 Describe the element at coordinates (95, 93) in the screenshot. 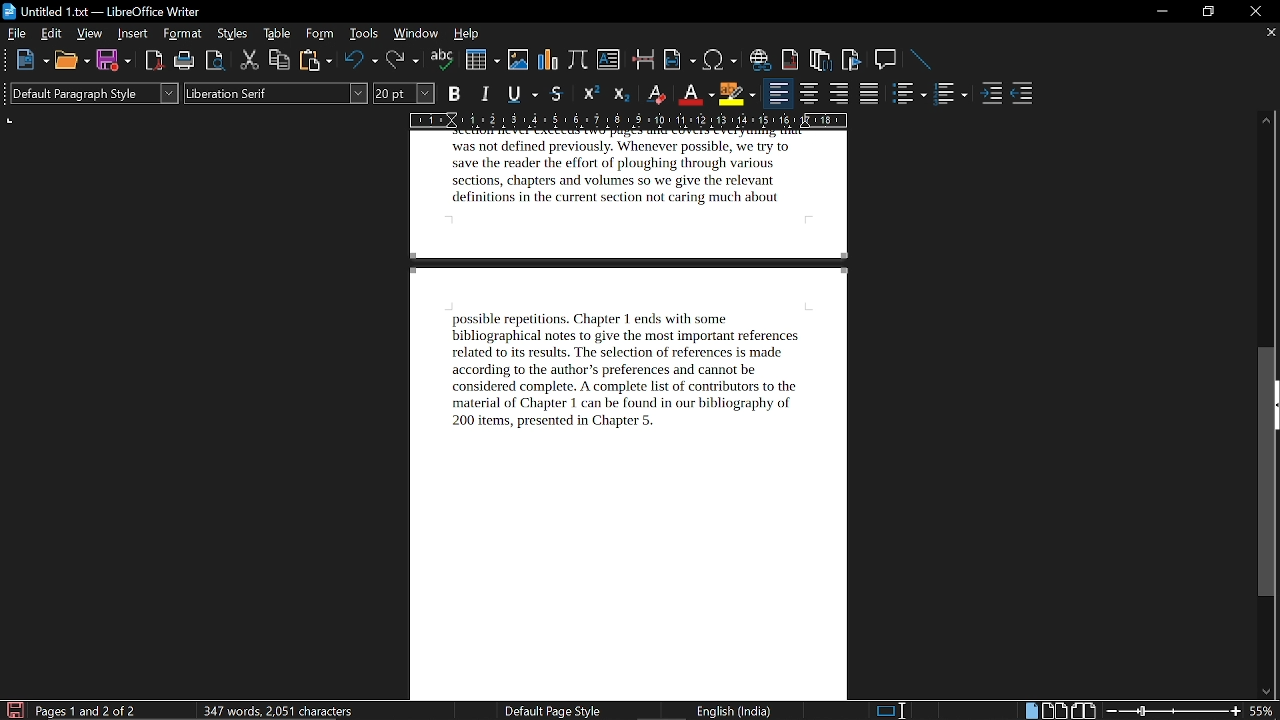

I see `paragraph style` at that location.